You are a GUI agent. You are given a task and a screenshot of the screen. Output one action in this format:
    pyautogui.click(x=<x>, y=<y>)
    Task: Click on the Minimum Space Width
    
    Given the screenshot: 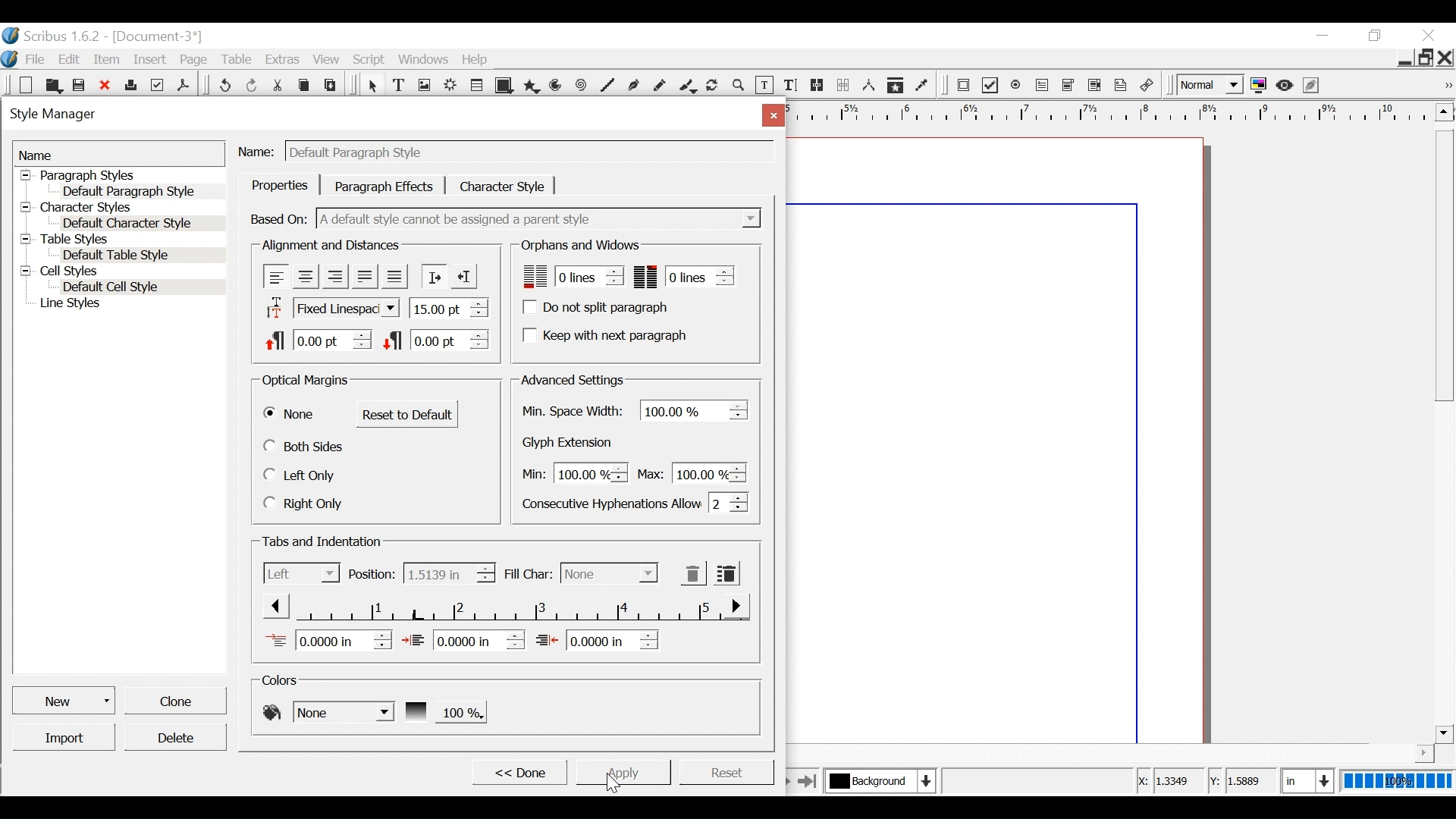 What is the action you would take?
    pyautogui.click(x=575, y=412)
    